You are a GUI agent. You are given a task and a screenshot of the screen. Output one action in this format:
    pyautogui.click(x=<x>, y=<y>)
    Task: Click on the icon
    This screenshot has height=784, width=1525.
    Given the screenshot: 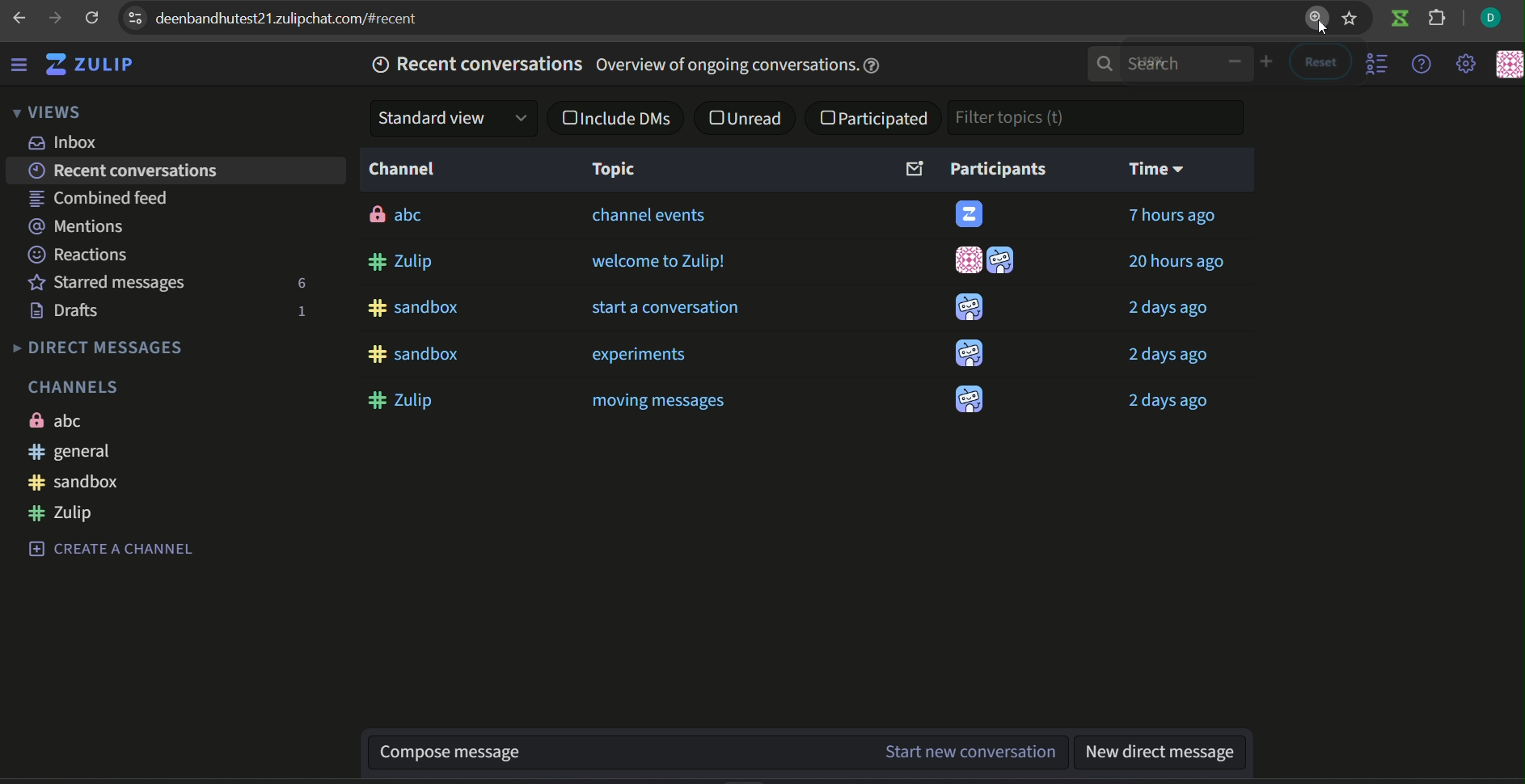 What is the action you would take?
    pyautogui.click(x=1004, y=263)
    